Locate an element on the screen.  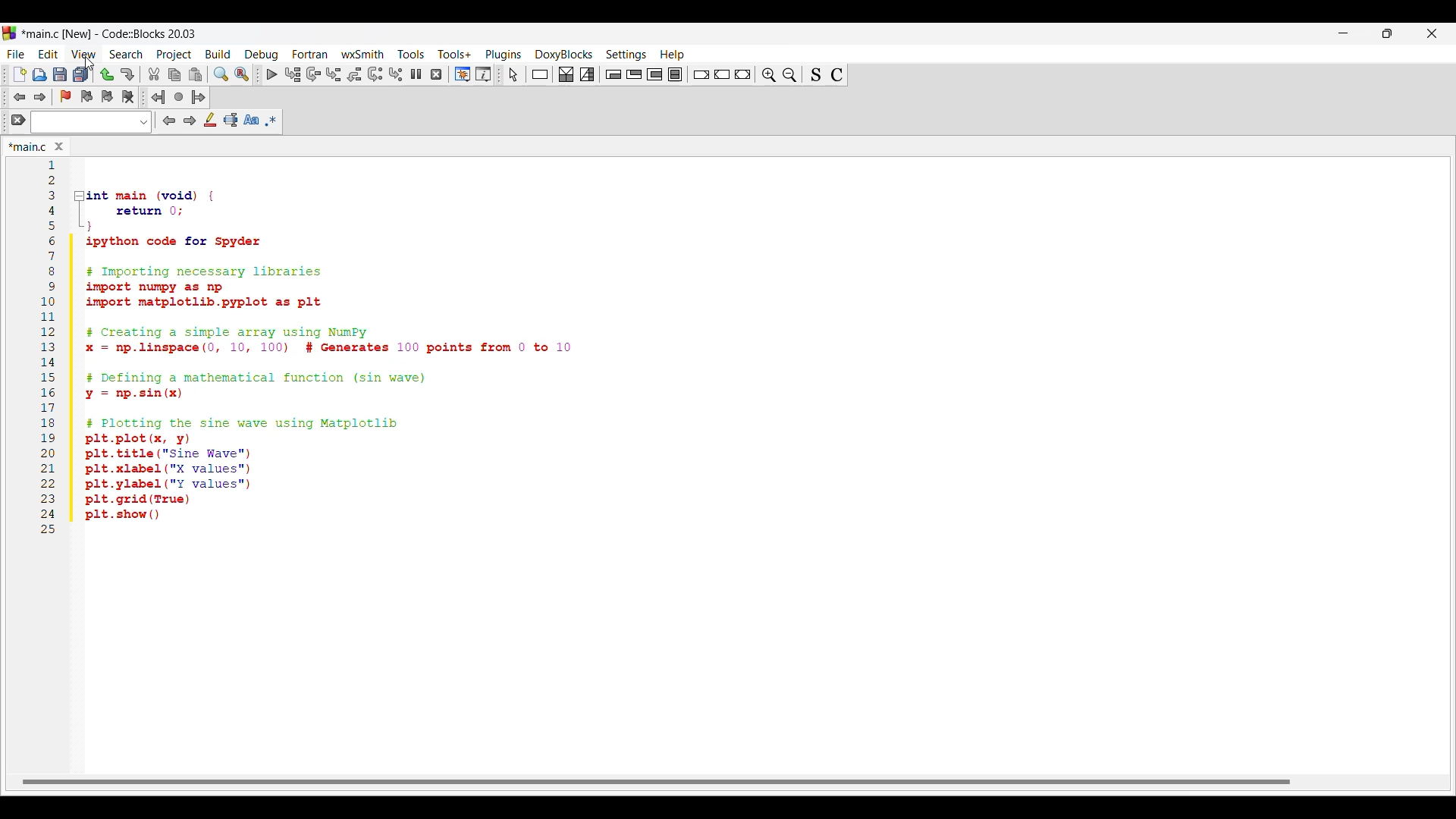
DoxyBlocks menu is located at coordinates (564, 55).